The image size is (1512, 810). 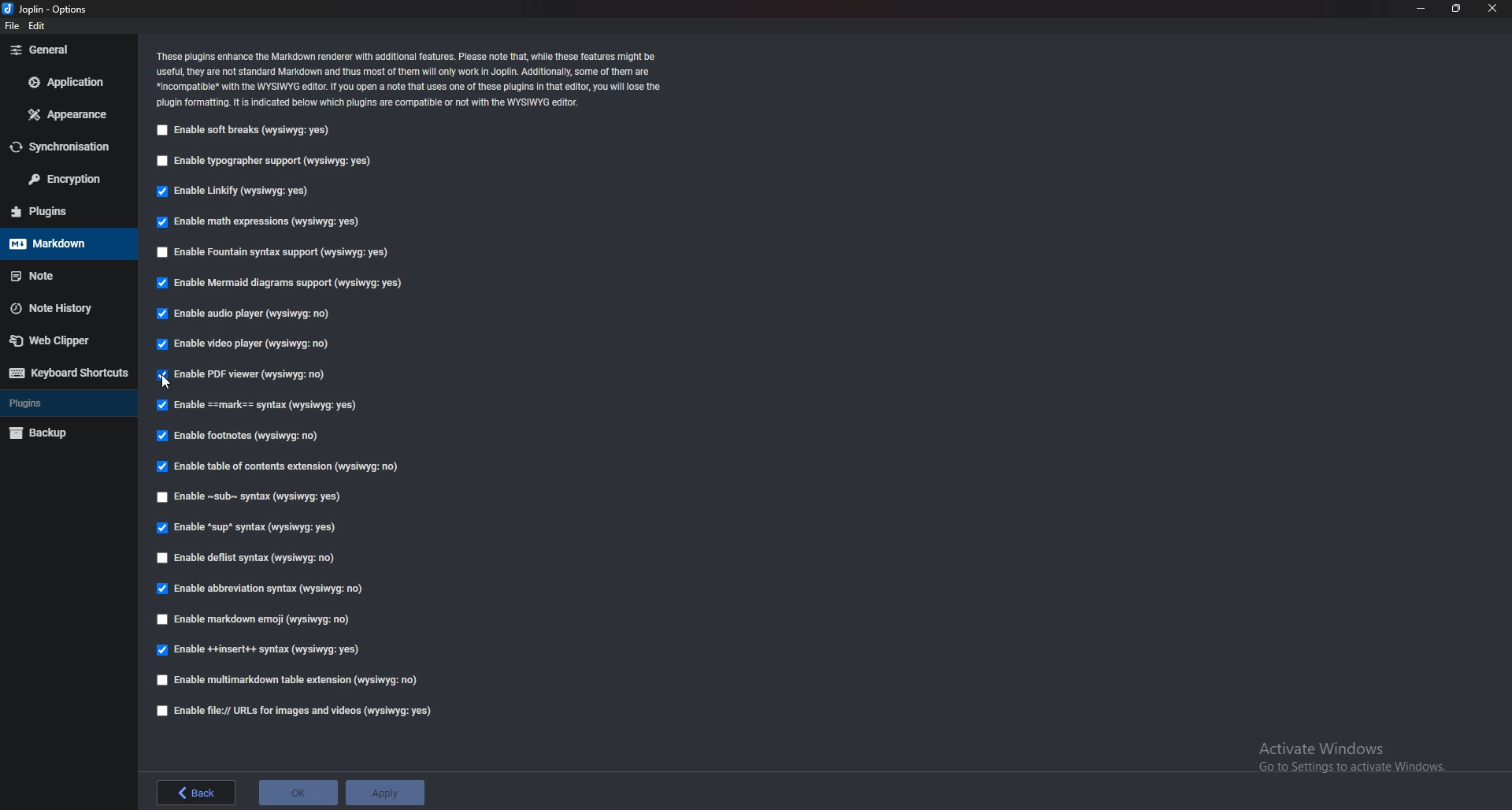 What do you see at coordinates (14, 26) in the screenshot?
I see `file` at bounding box center [14, 26].